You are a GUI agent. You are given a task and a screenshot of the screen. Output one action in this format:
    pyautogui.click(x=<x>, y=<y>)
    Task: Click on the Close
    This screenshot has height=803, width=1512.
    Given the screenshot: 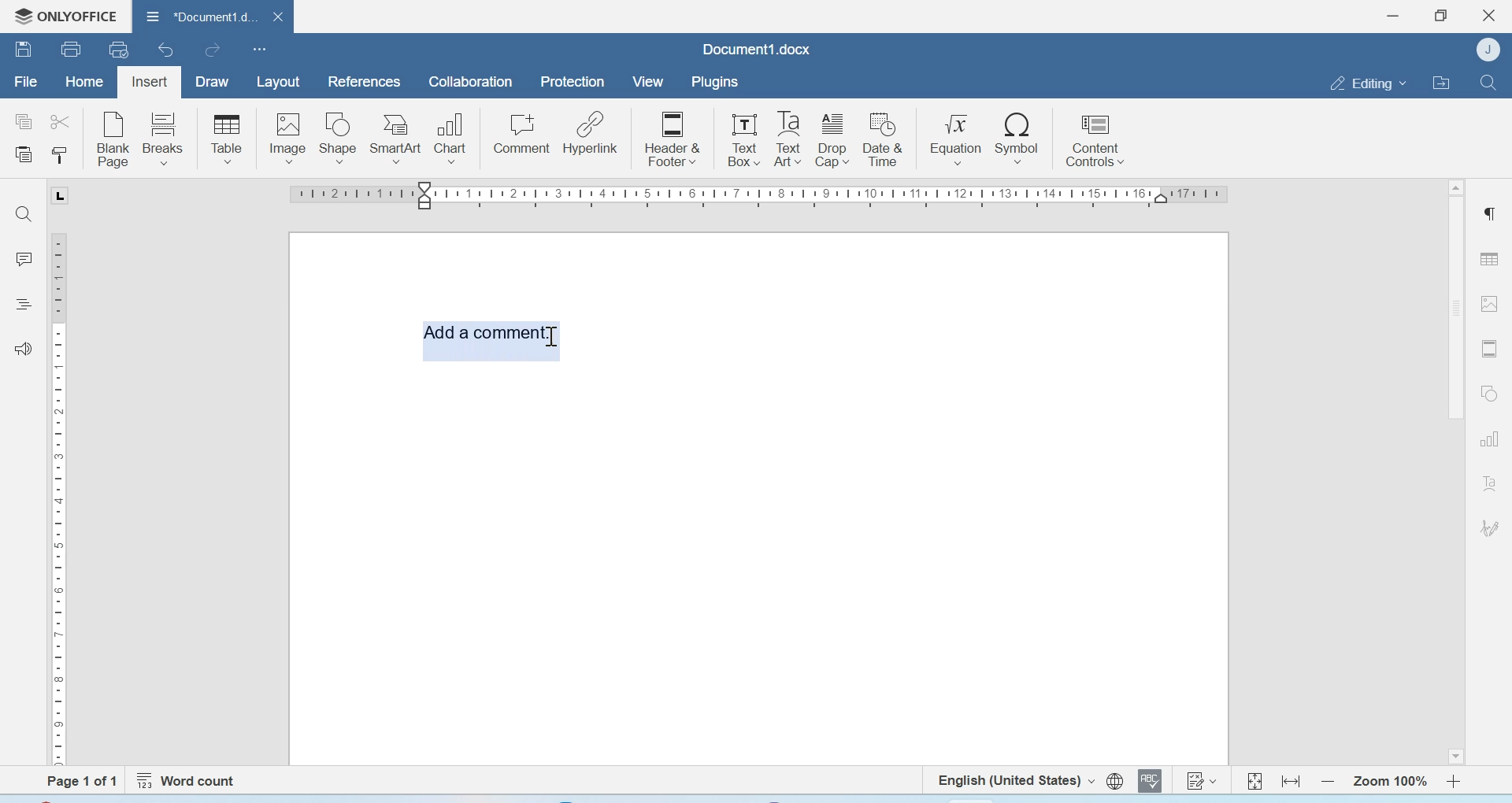 What is the action you would take?
    pyautogui.click(x=1491, y=16)
    